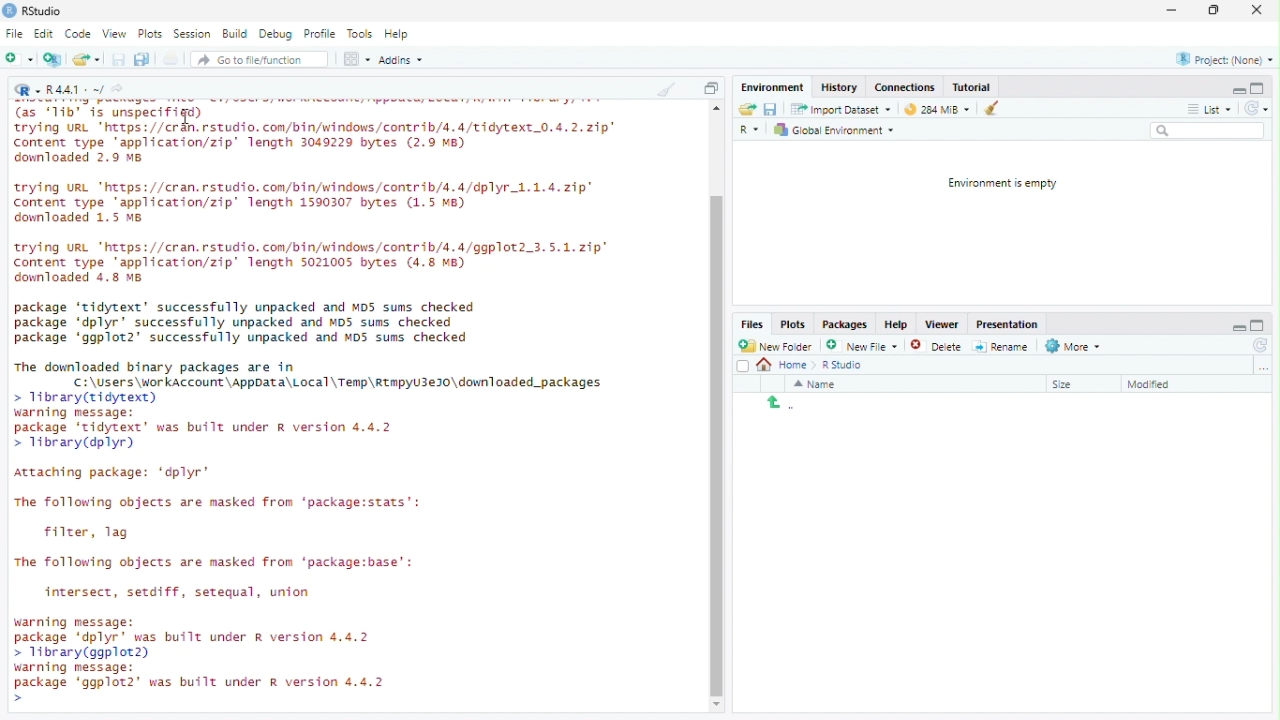 This screenshot has height=720, width=1280. What do you see at coordinates (121, 91) in the screenshot?
I see `Go` at bounding box center [121, 91].